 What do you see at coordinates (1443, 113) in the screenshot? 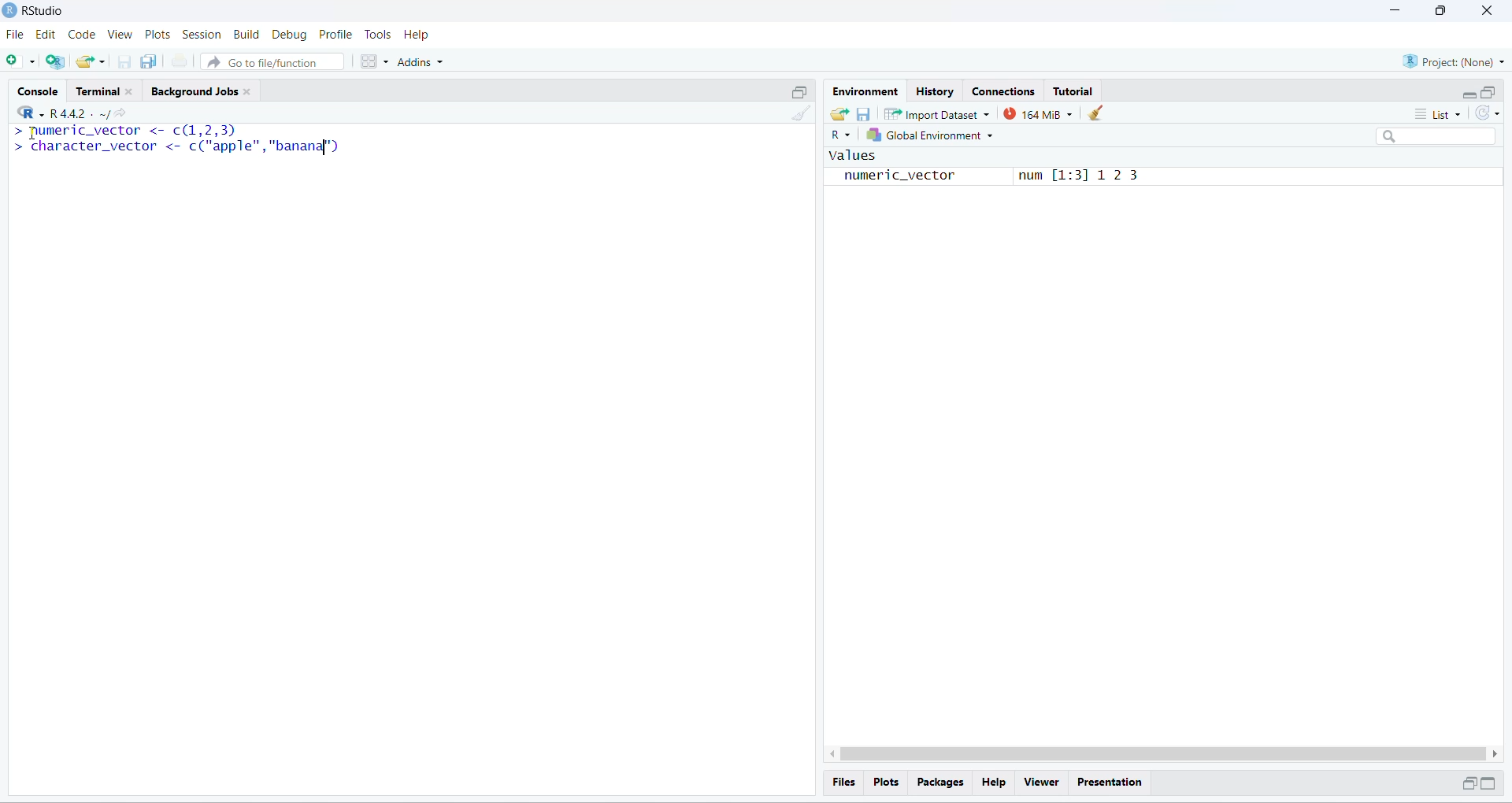
I see `list` at bounding box center [1443, 113].